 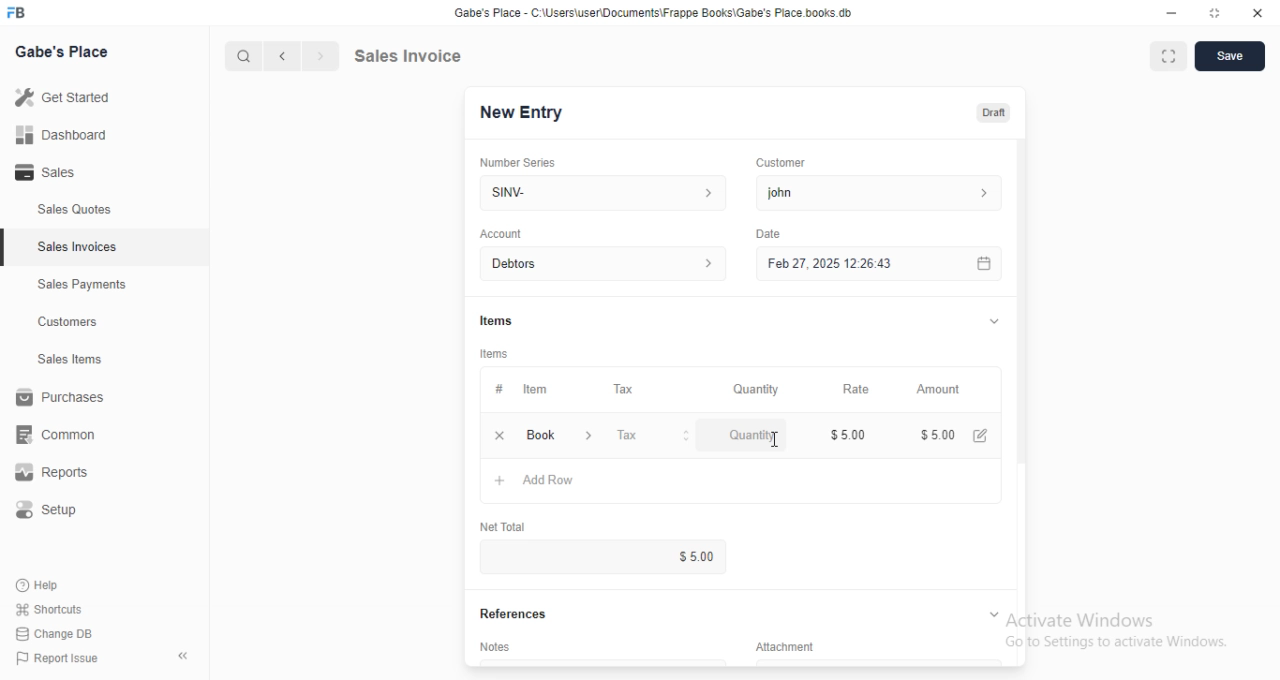 I want to click on Net total, so click(x=501, y=528).